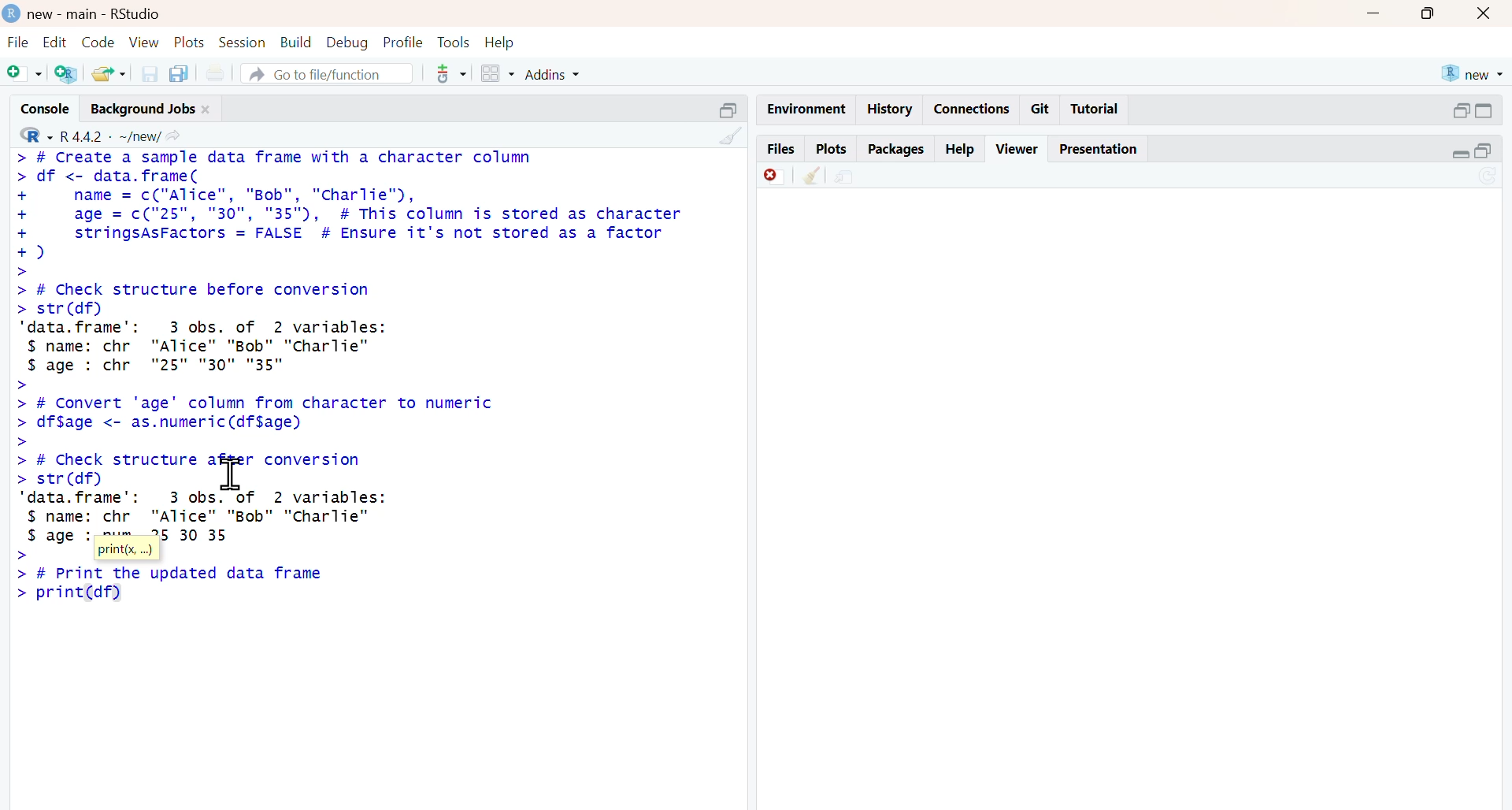  Describe the element at coordinates (46, 110) in the screenshot. I see `console` at that location.